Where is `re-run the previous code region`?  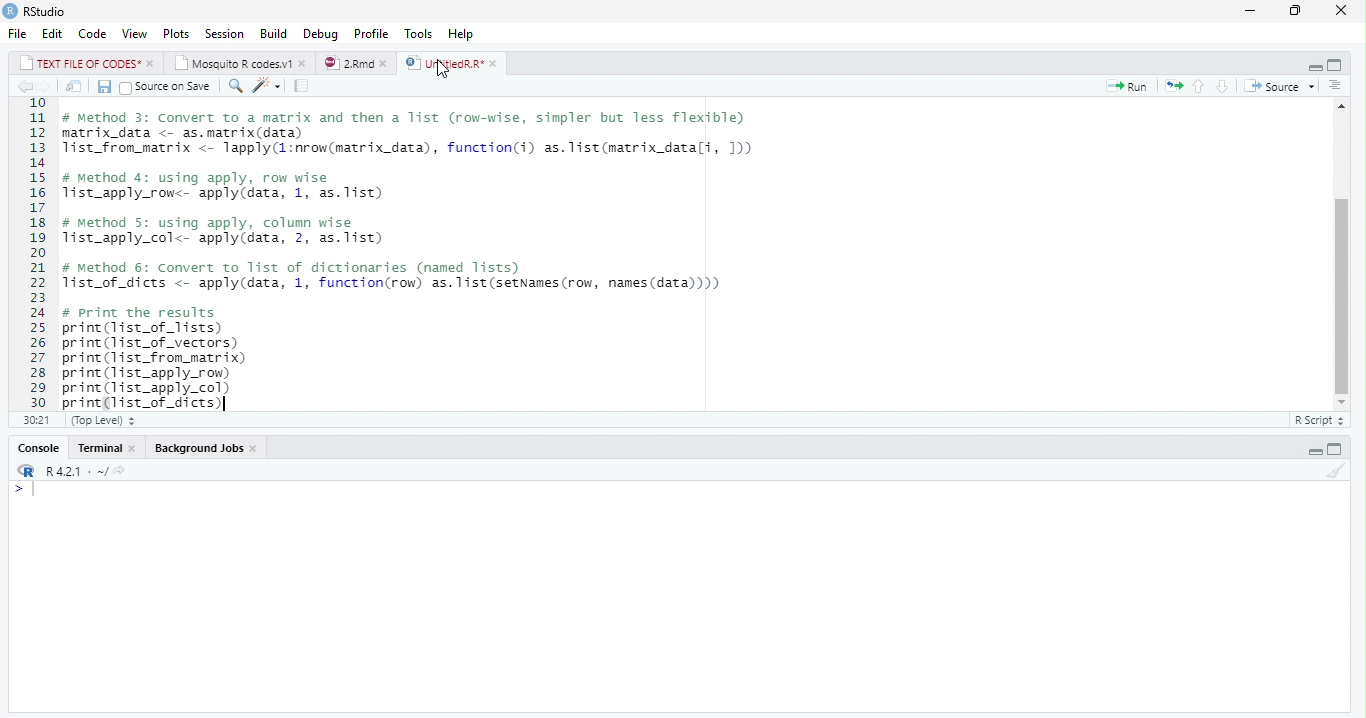
re-run the previous code region is located at coordinates (1171, 87).